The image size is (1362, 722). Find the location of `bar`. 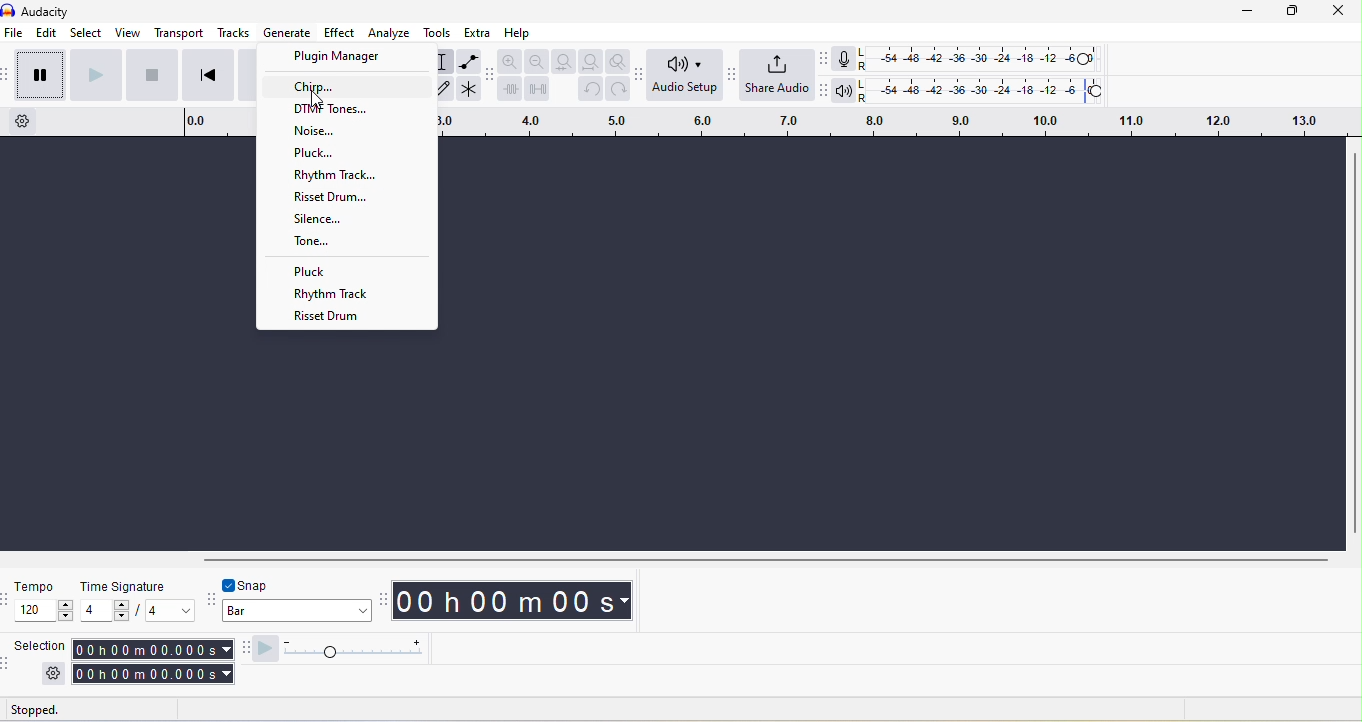

bar is located at coordinates (298, 613).